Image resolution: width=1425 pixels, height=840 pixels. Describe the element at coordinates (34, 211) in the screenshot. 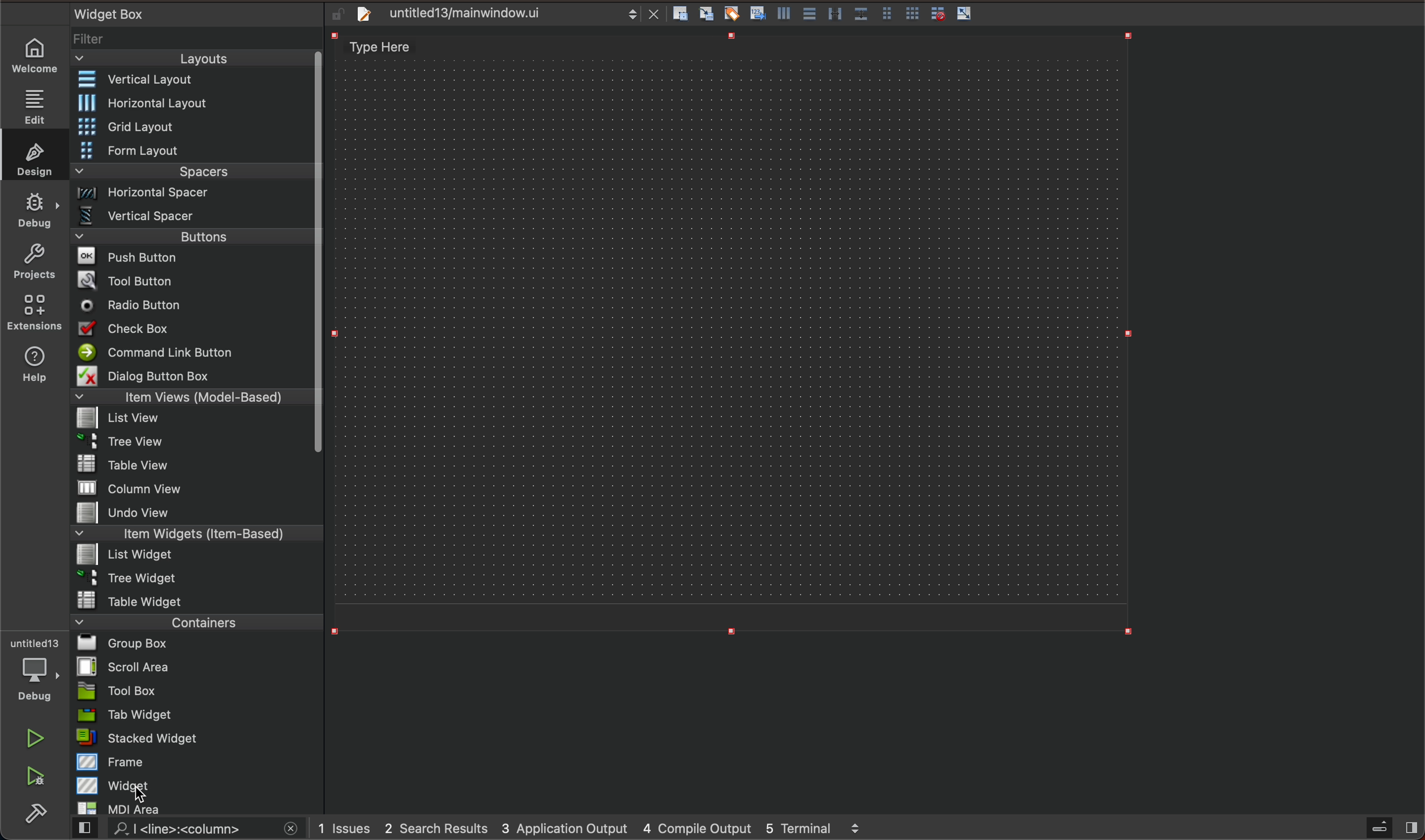

I see `debug` at that location.